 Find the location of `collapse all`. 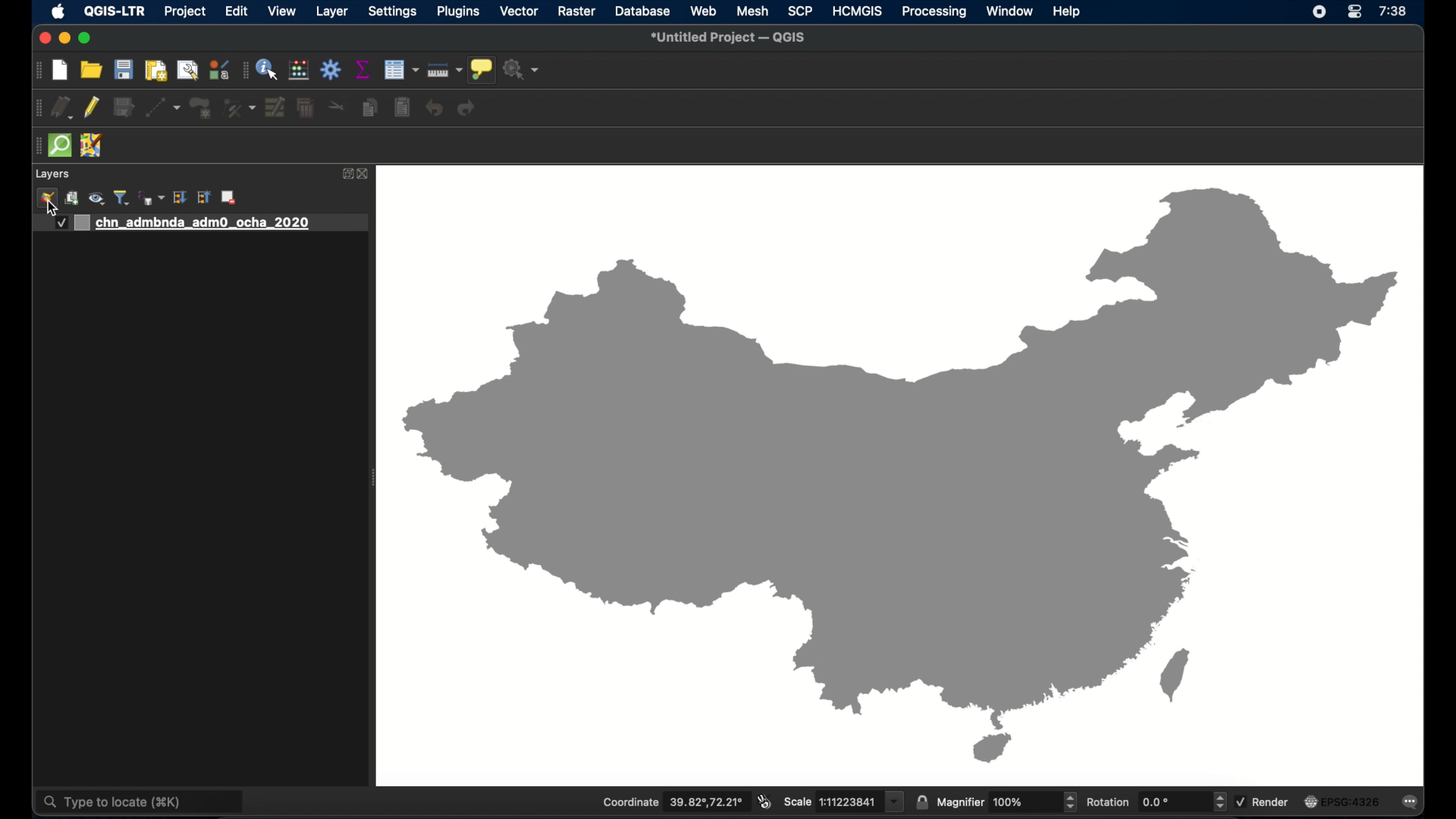

collapse all is located at coordinates (204, 197).